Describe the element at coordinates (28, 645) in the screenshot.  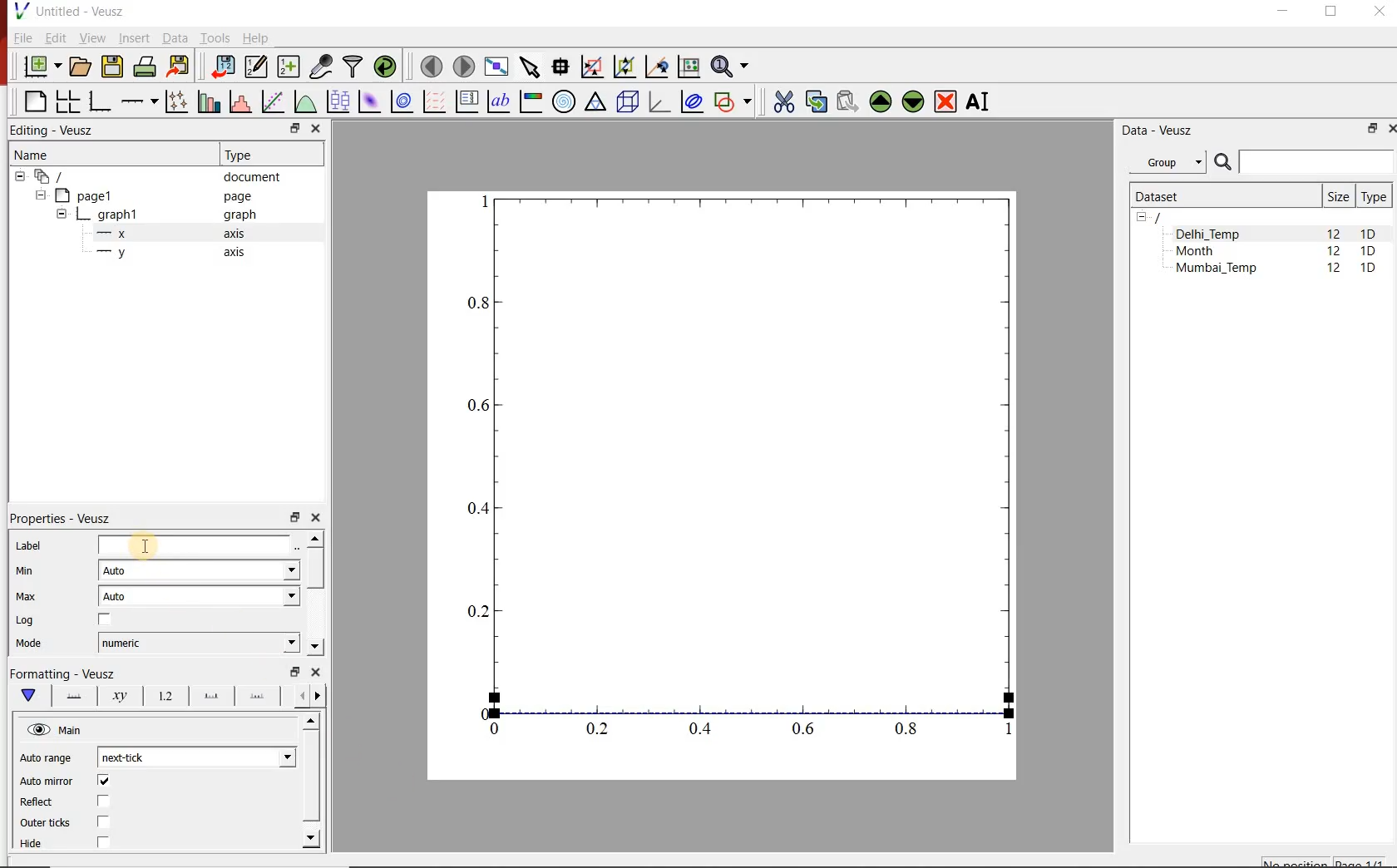
I see `Mode` at that location.